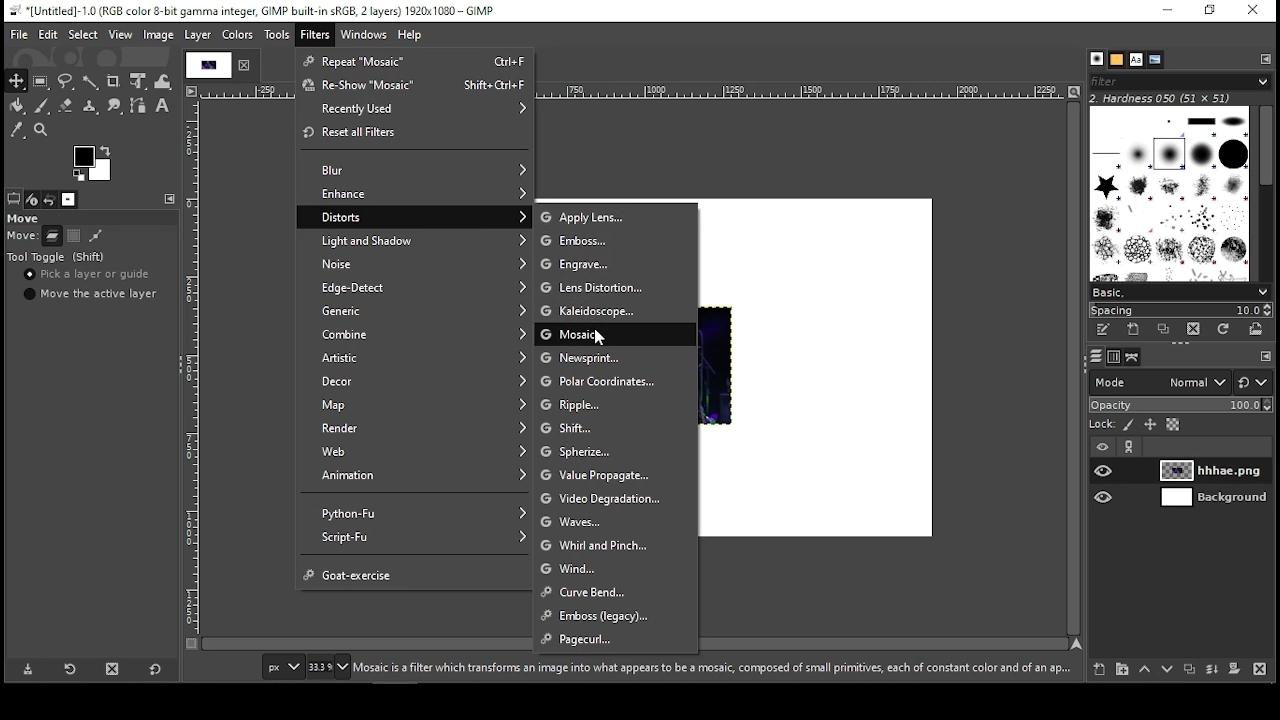 The width and height of the screenshot is (1280, 720). Describe the element at coordinates (114, 82) in the screenshot. I see `crop  tool` at that location.